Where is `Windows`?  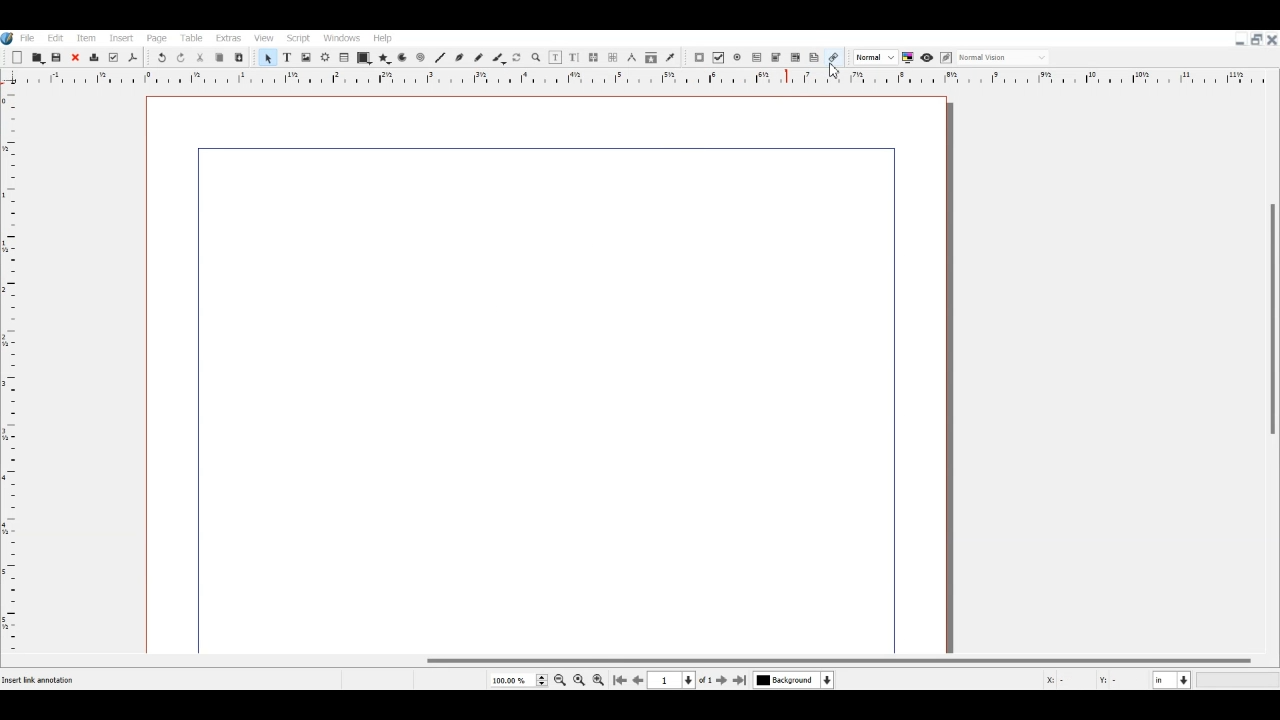 Windows is located at coordinates (343, 37).